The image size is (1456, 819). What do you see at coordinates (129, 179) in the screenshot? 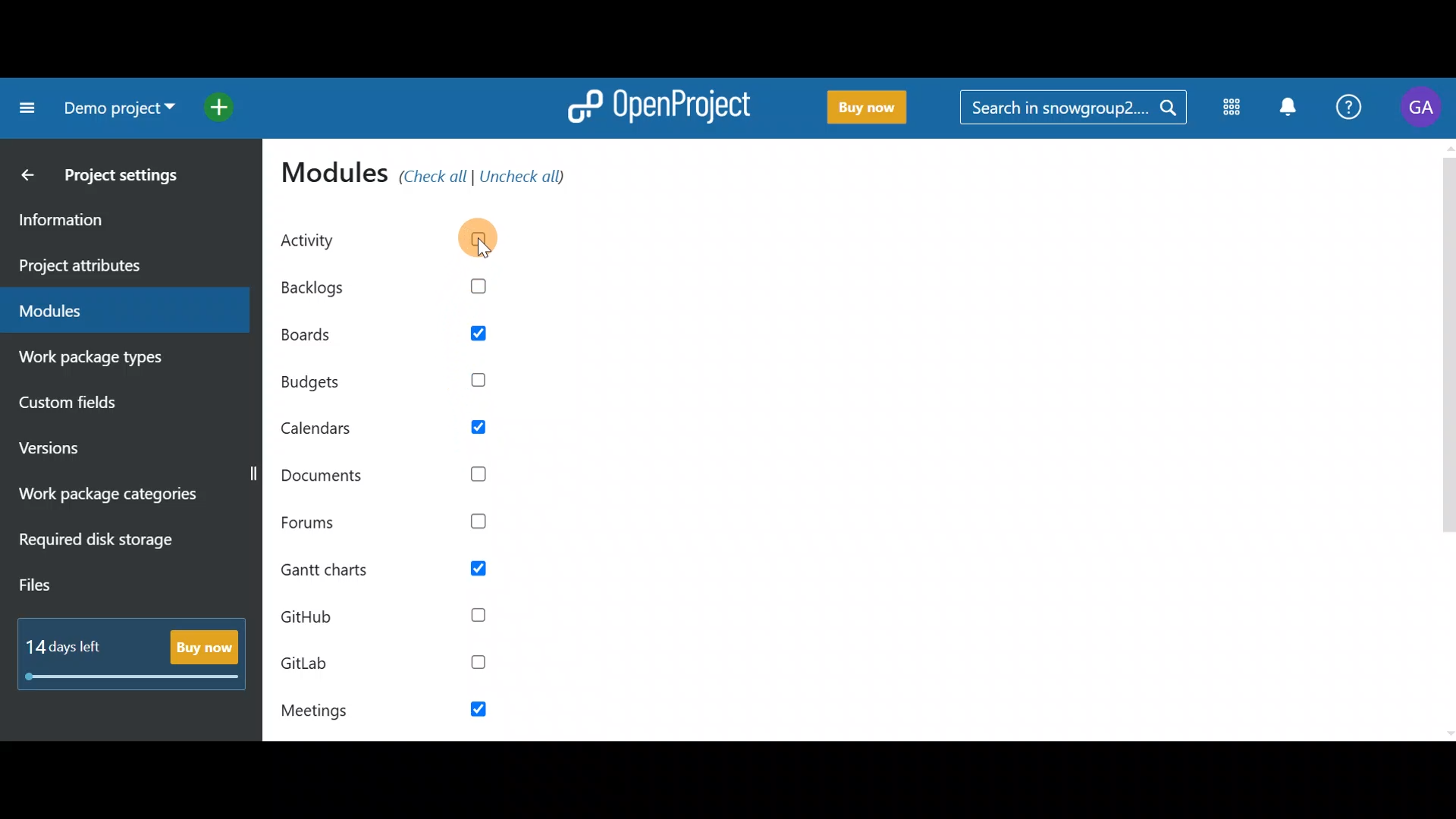
I see `Project settings` at bounding box center [129, 179].